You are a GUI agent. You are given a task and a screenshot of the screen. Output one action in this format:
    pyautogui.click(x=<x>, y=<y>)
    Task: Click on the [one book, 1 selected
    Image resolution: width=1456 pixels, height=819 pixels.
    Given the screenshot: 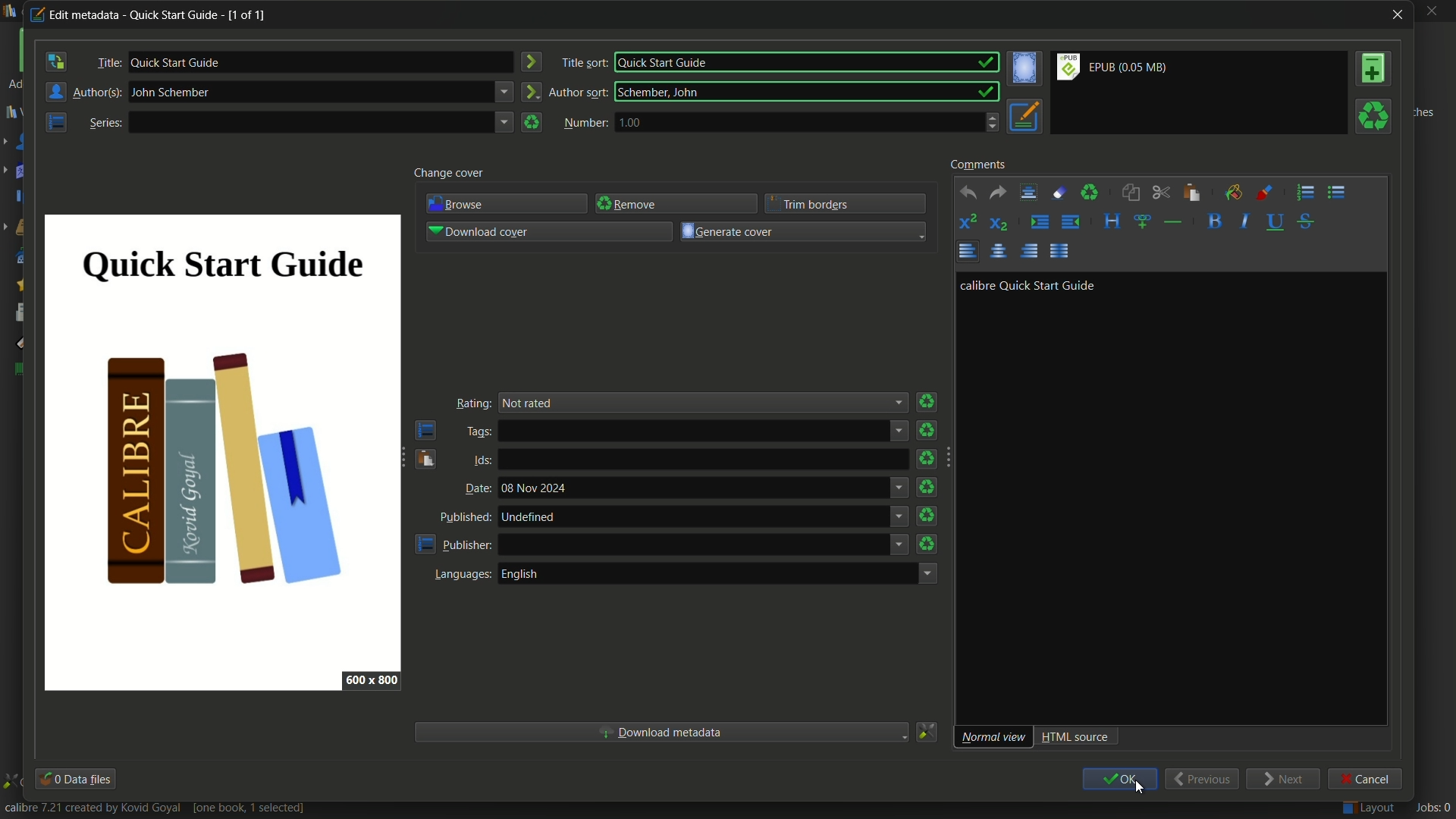 What is the action you would take?
    pyautogui.click(x=246, y=808)
    